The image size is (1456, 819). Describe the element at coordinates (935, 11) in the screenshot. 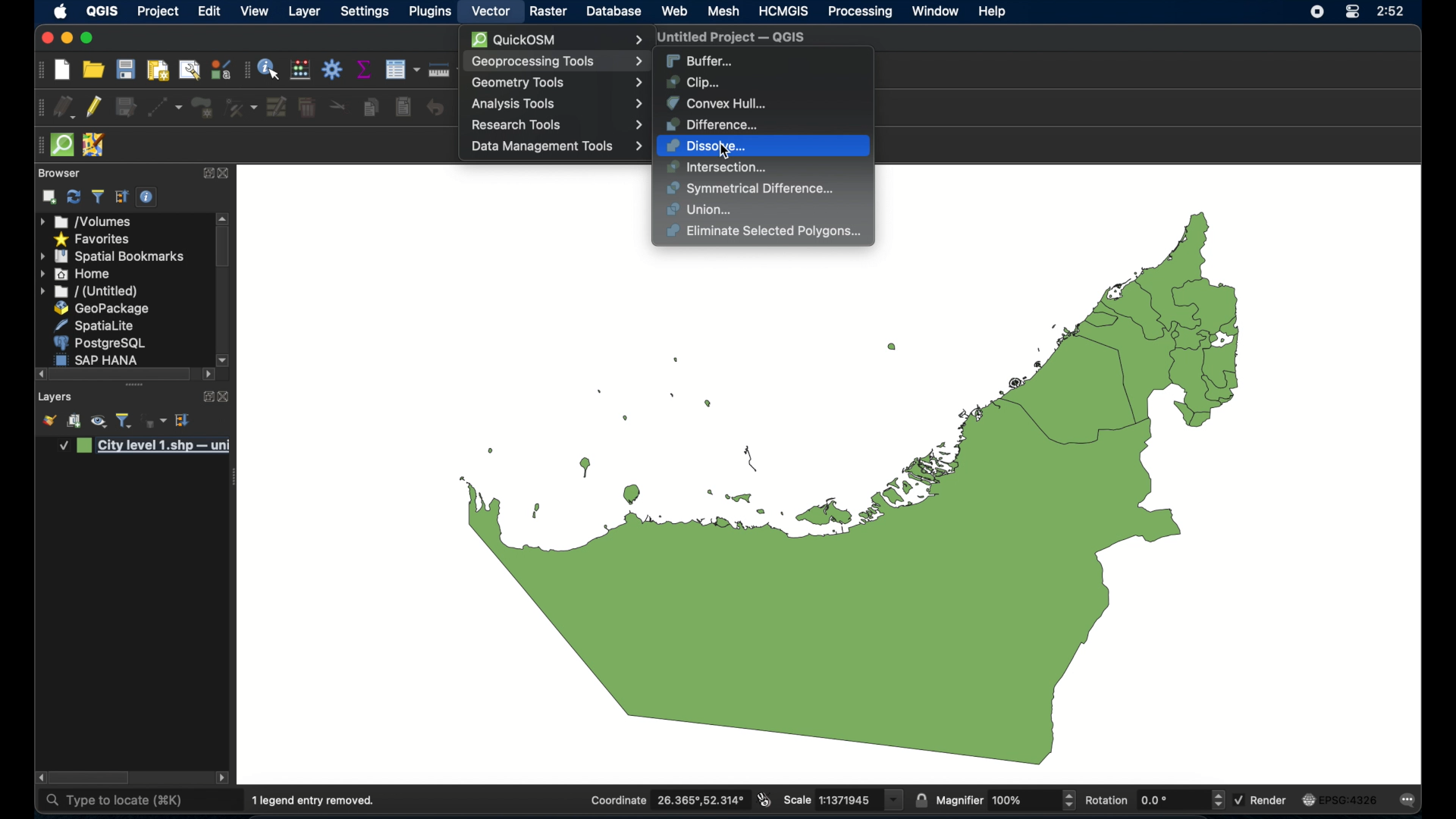

I see `window` at that location.